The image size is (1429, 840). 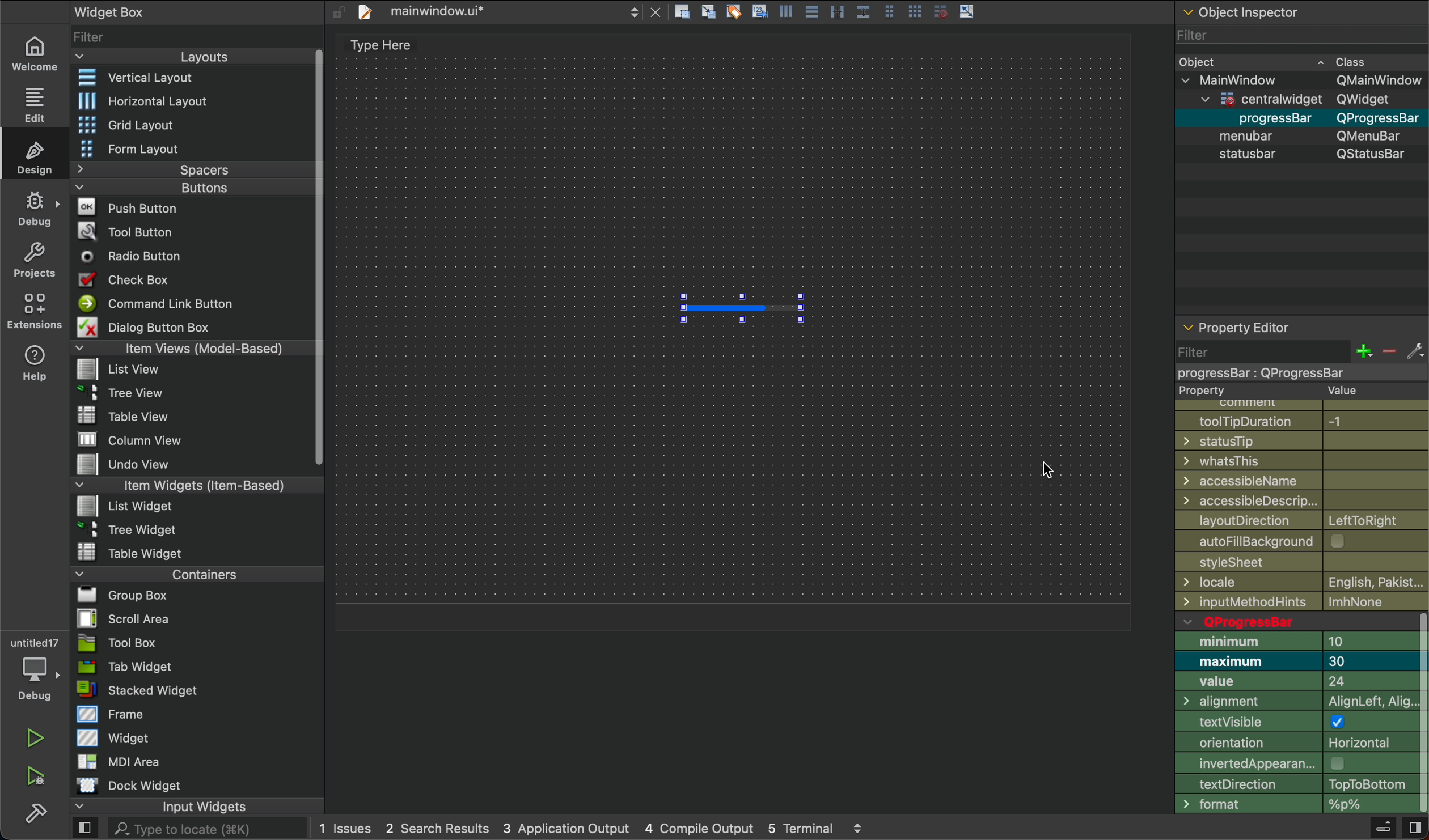 I want to click on Buttons, so click(x=171, y=188).